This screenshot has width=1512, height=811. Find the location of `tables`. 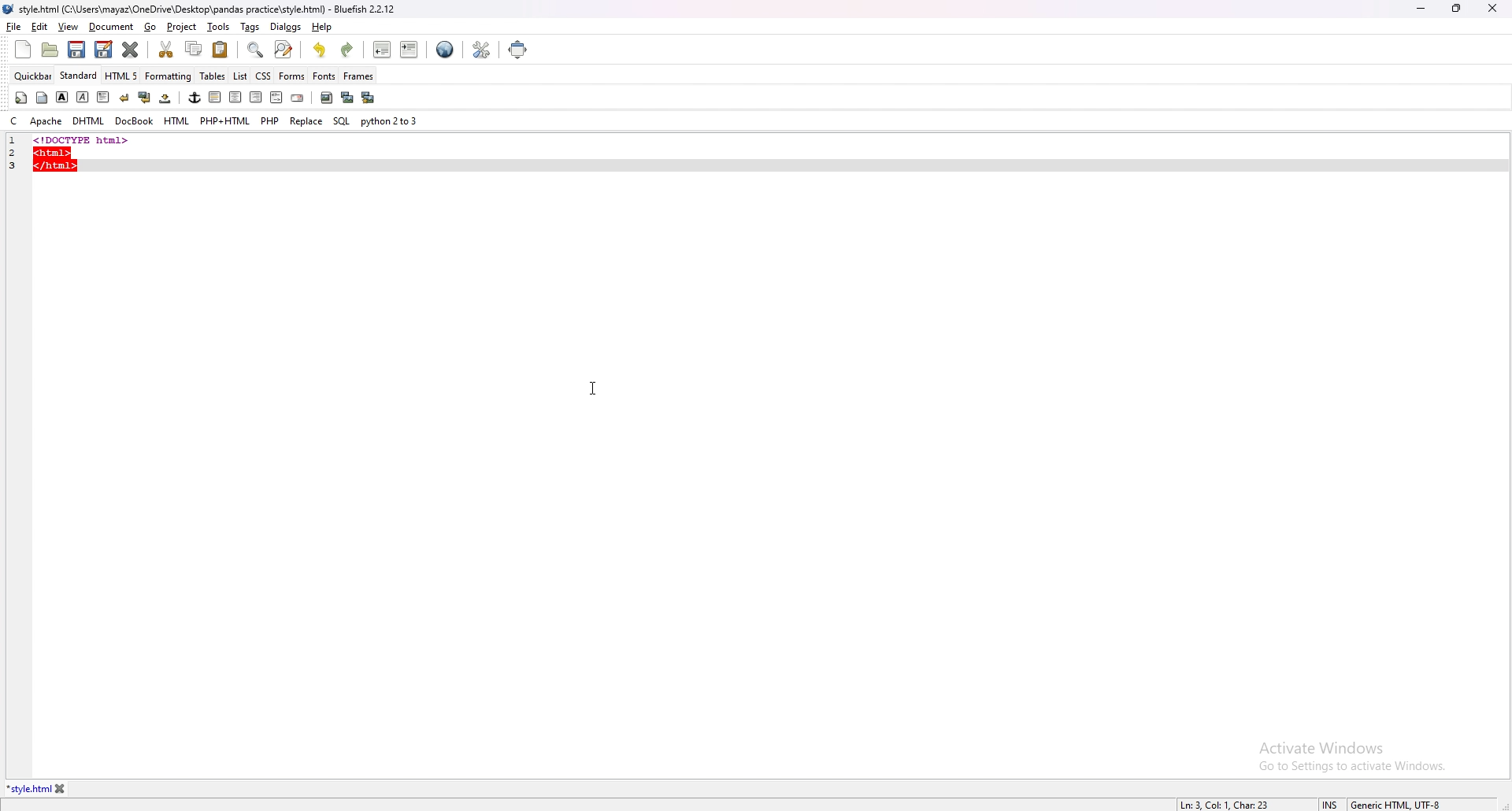

tables is located at coordinates (213, 76).